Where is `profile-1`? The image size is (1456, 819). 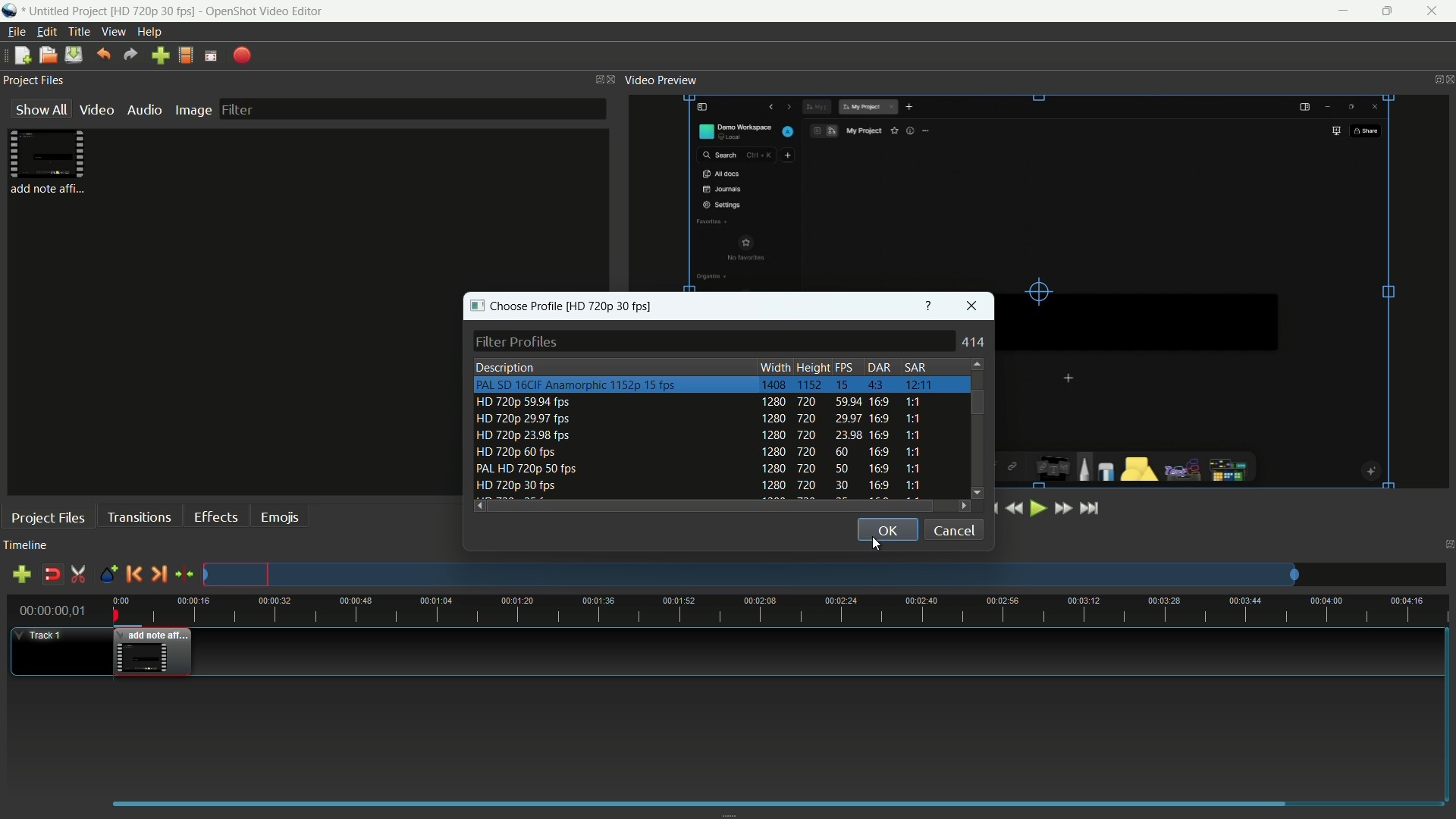
profile-1 is located at coordinates (703, 384).